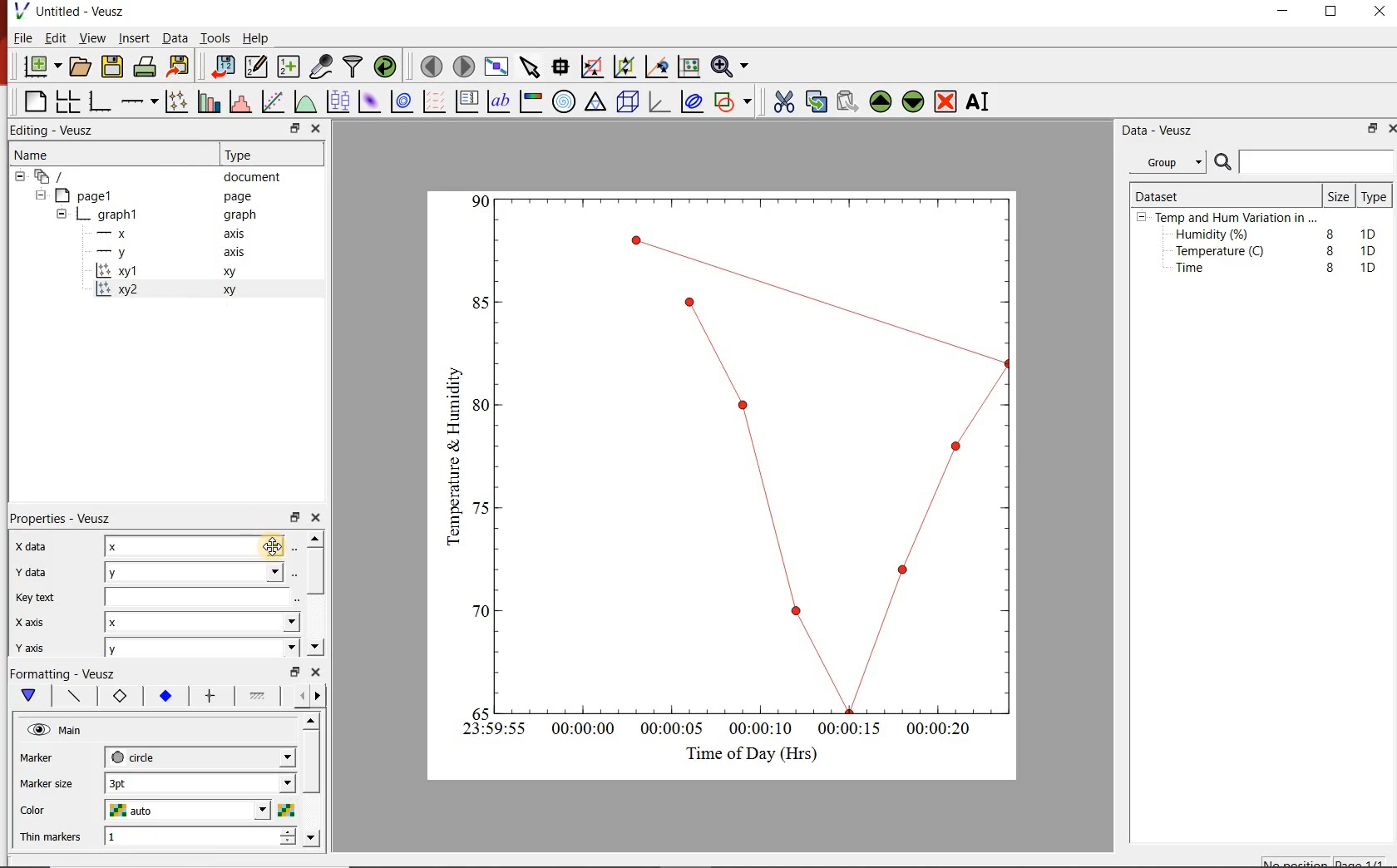 The height and width of the screenshot is (868, 1397). Describe the element at coordinates (259, 697) in the screenshot. I see `fill 1` at that location.